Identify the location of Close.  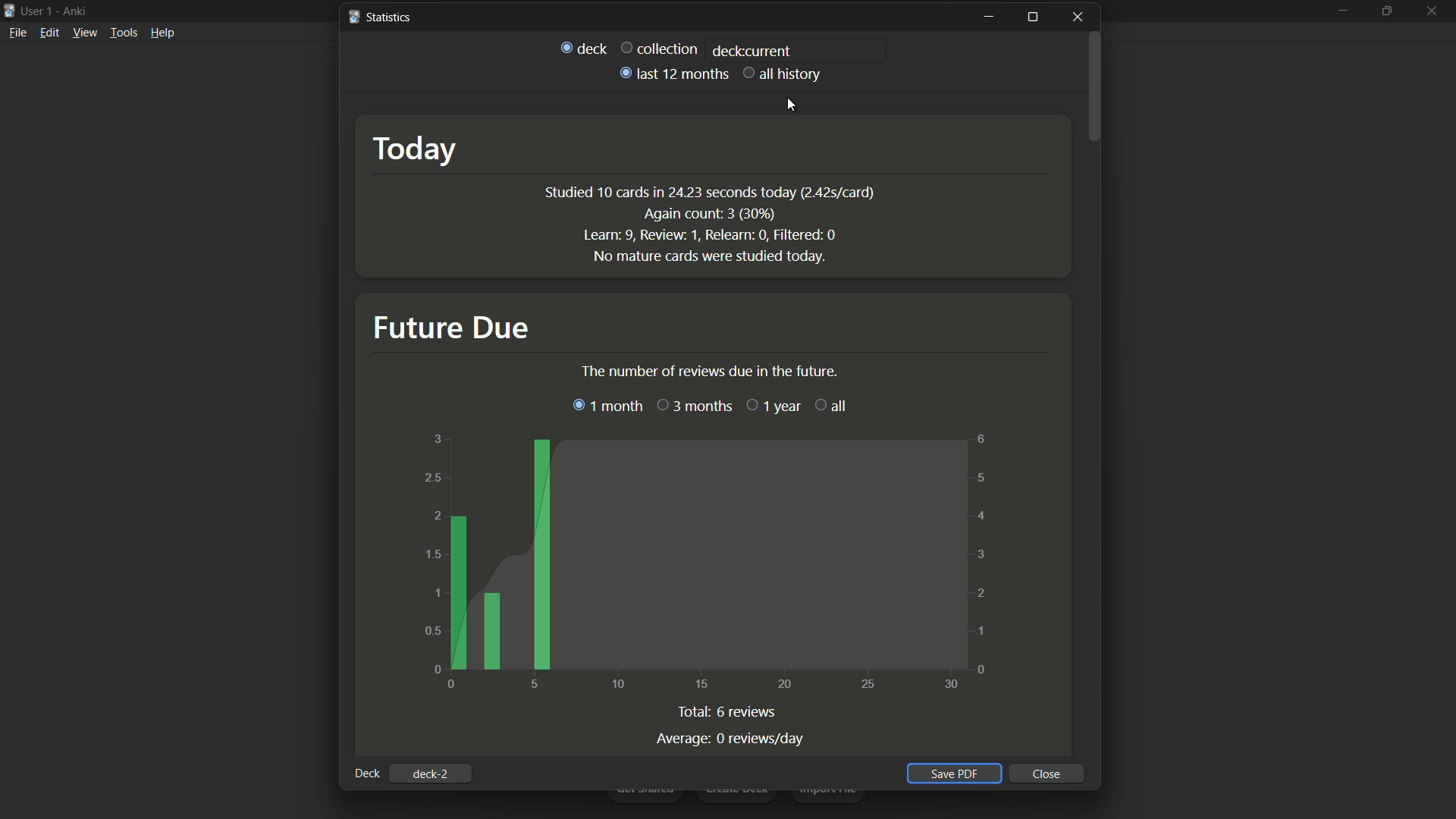
(1081, 17).